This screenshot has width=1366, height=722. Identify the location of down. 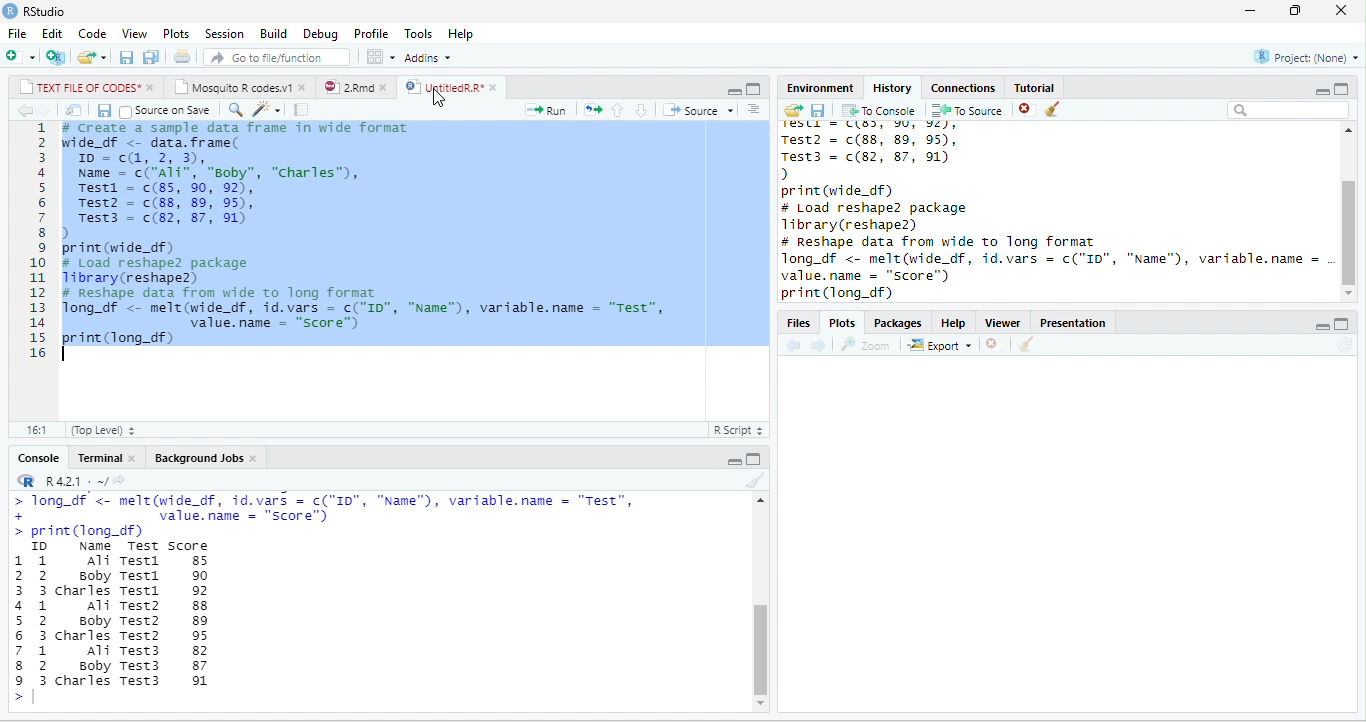
(757, 112).